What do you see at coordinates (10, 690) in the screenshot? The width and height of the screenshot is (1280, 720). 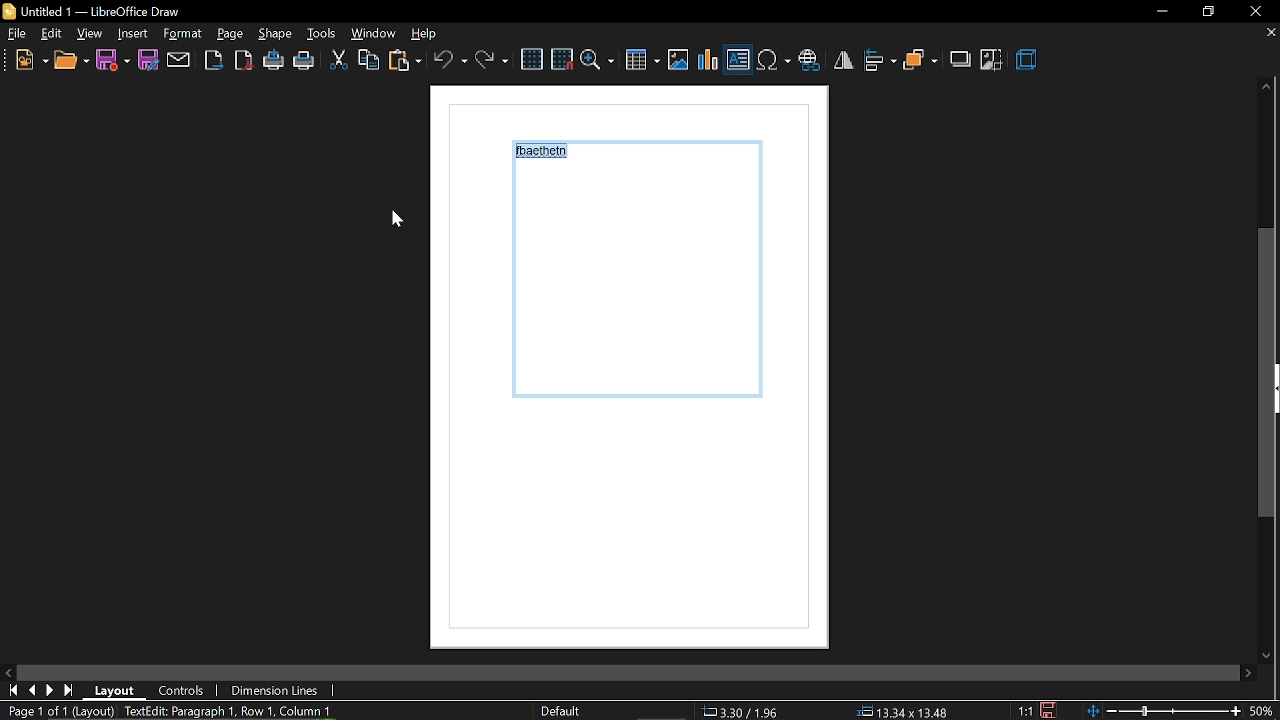 I see `go to first page` at bounding box center [10, 690].